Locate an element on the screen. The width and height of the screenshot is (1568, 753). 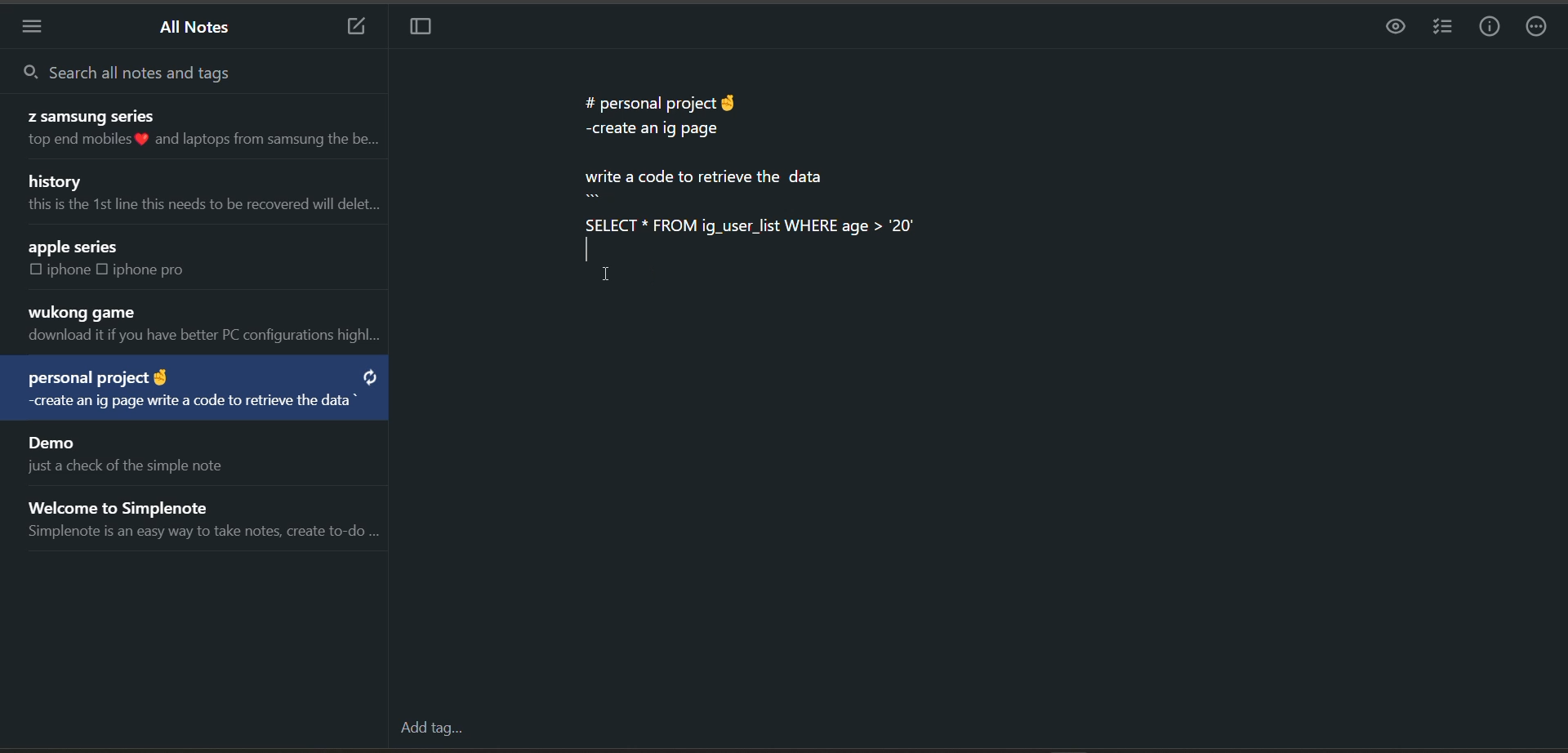
preview is located at coordinates (1392, 28).